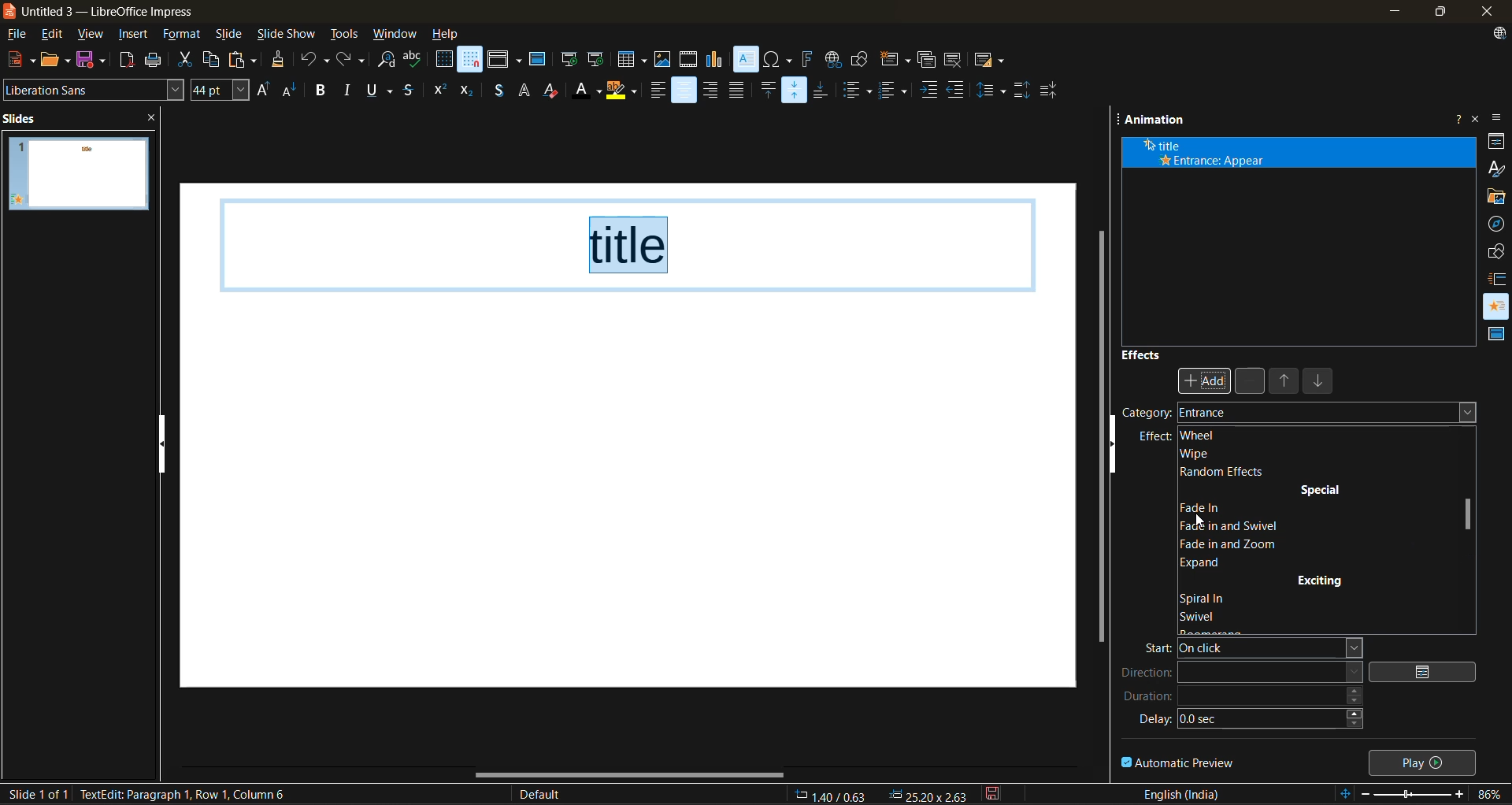  What do you see at coordinates (569, 61) in the screenshot?
I see `start from first slide` at bounding box center [569, 61].